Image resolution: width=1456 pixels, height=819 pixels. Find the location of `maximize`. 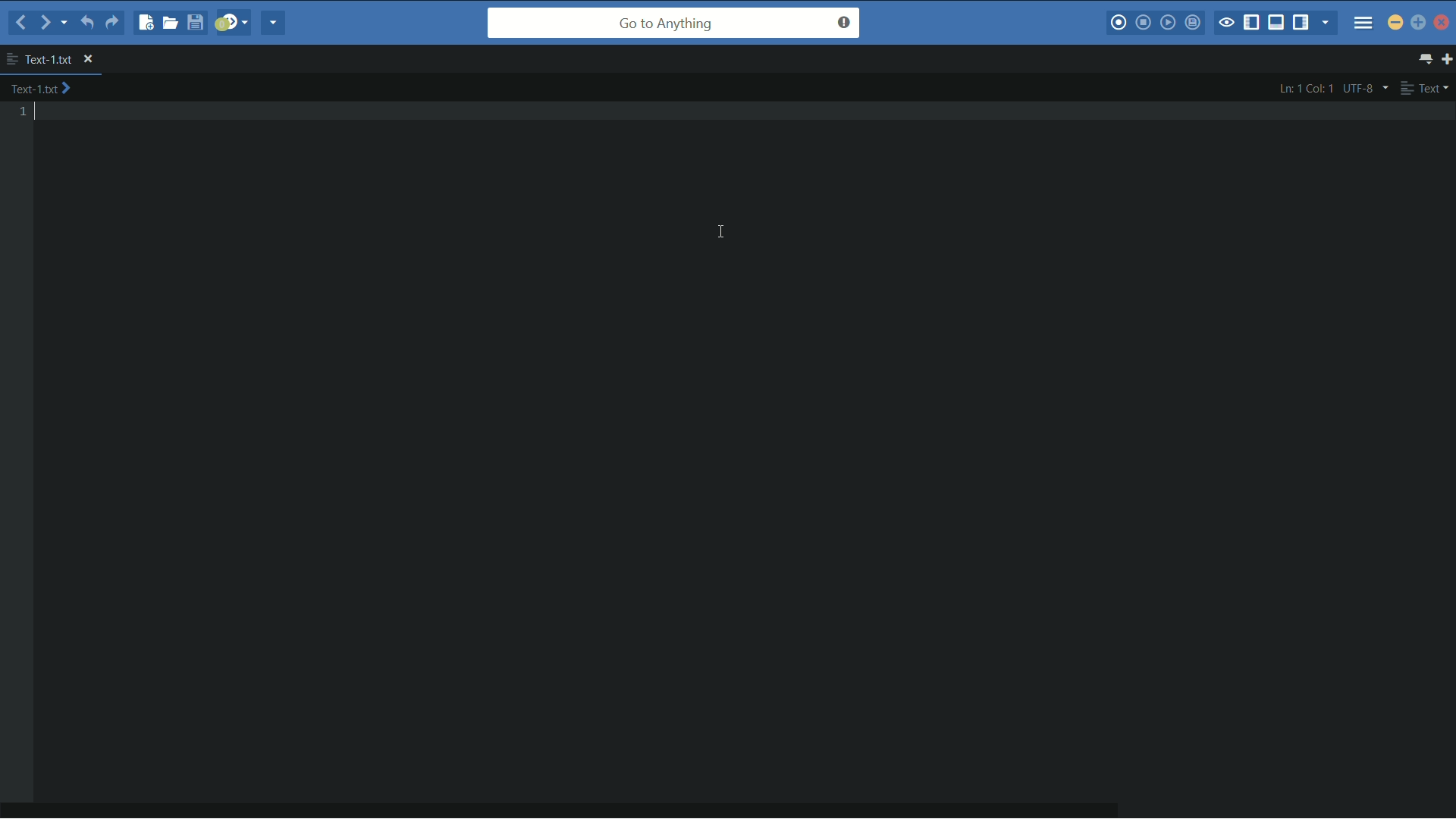

maximize is located at coordinates (1418, 22).